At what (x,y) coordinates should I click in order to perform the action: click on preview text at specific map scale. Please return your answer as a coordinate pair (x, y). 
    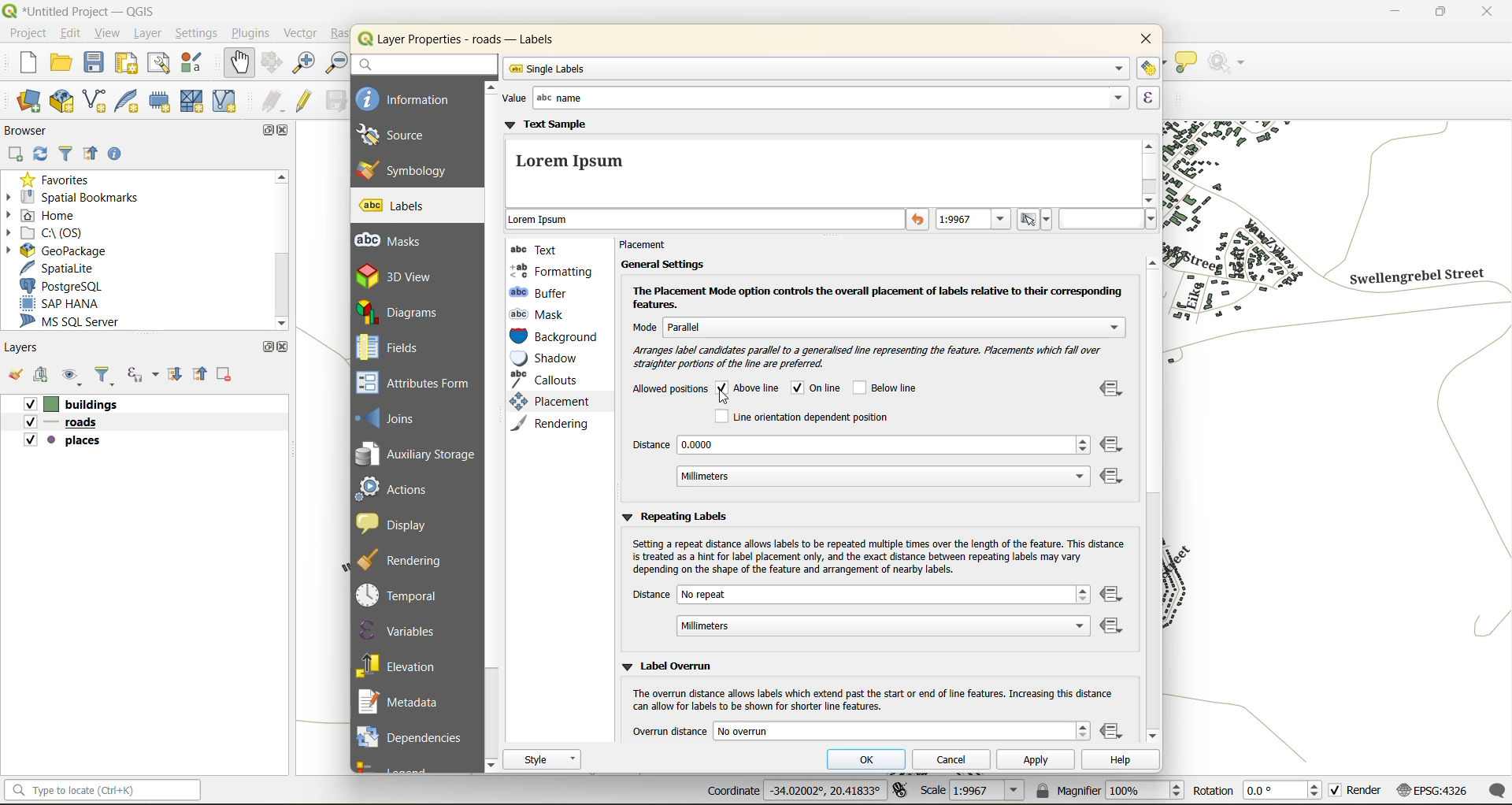
    Looking at the image, I should click on (975, 221).